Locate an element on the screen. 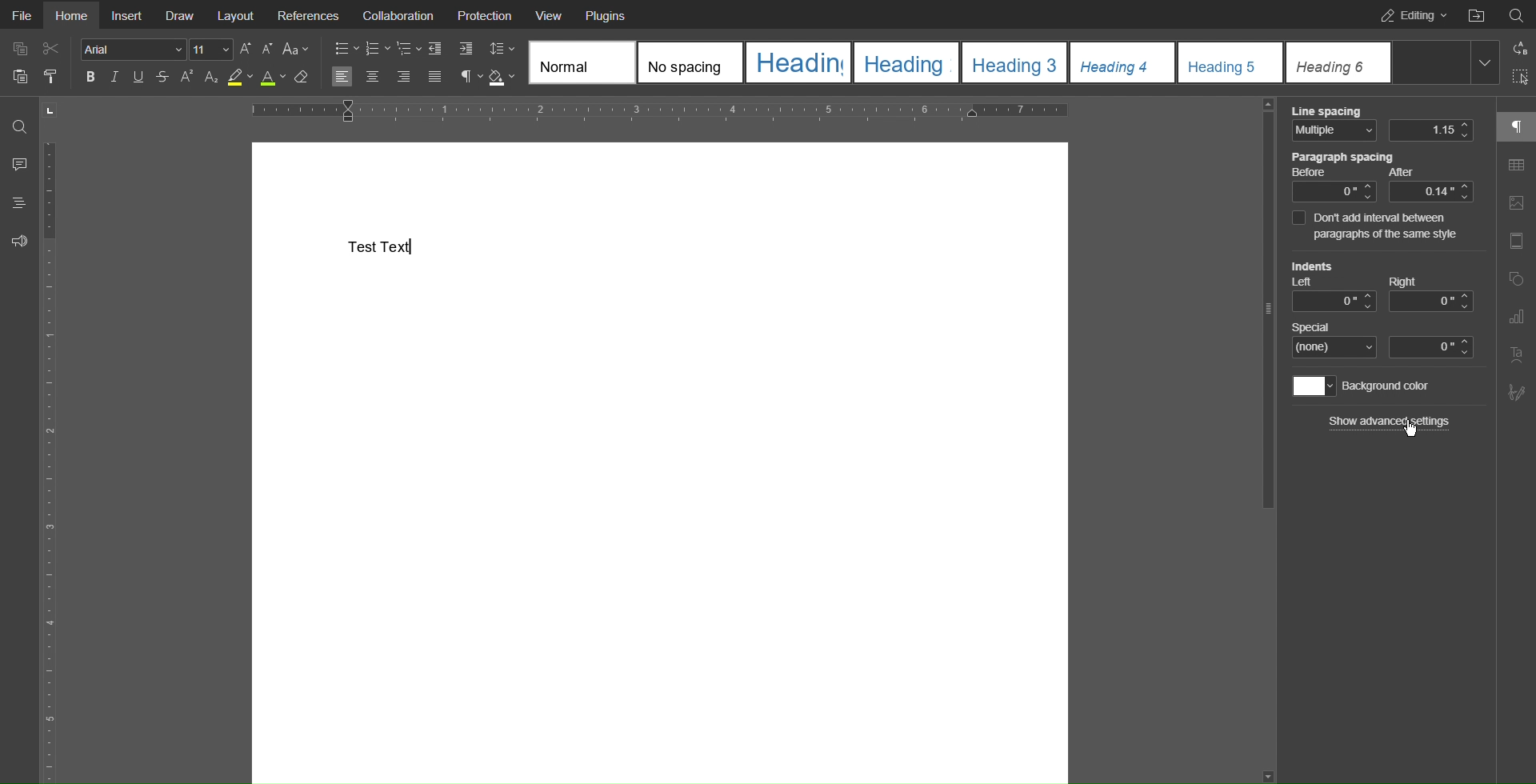 The width and height of the screenshot is (1536, 784). Show advanced settings is located at coordinates (1390, 421).